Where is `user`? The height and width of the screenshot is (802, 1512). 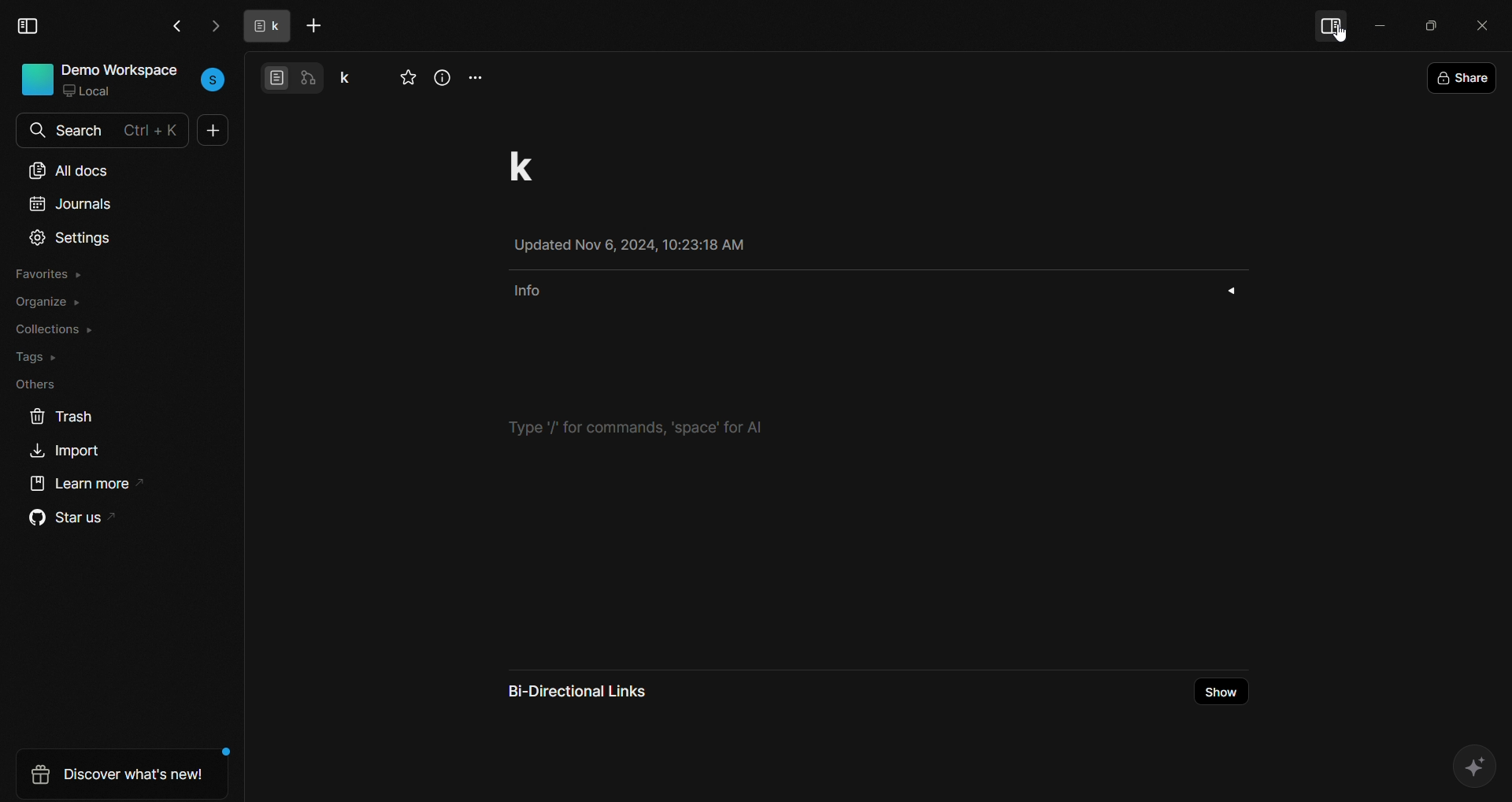
user is located at coordinates (214, 79).